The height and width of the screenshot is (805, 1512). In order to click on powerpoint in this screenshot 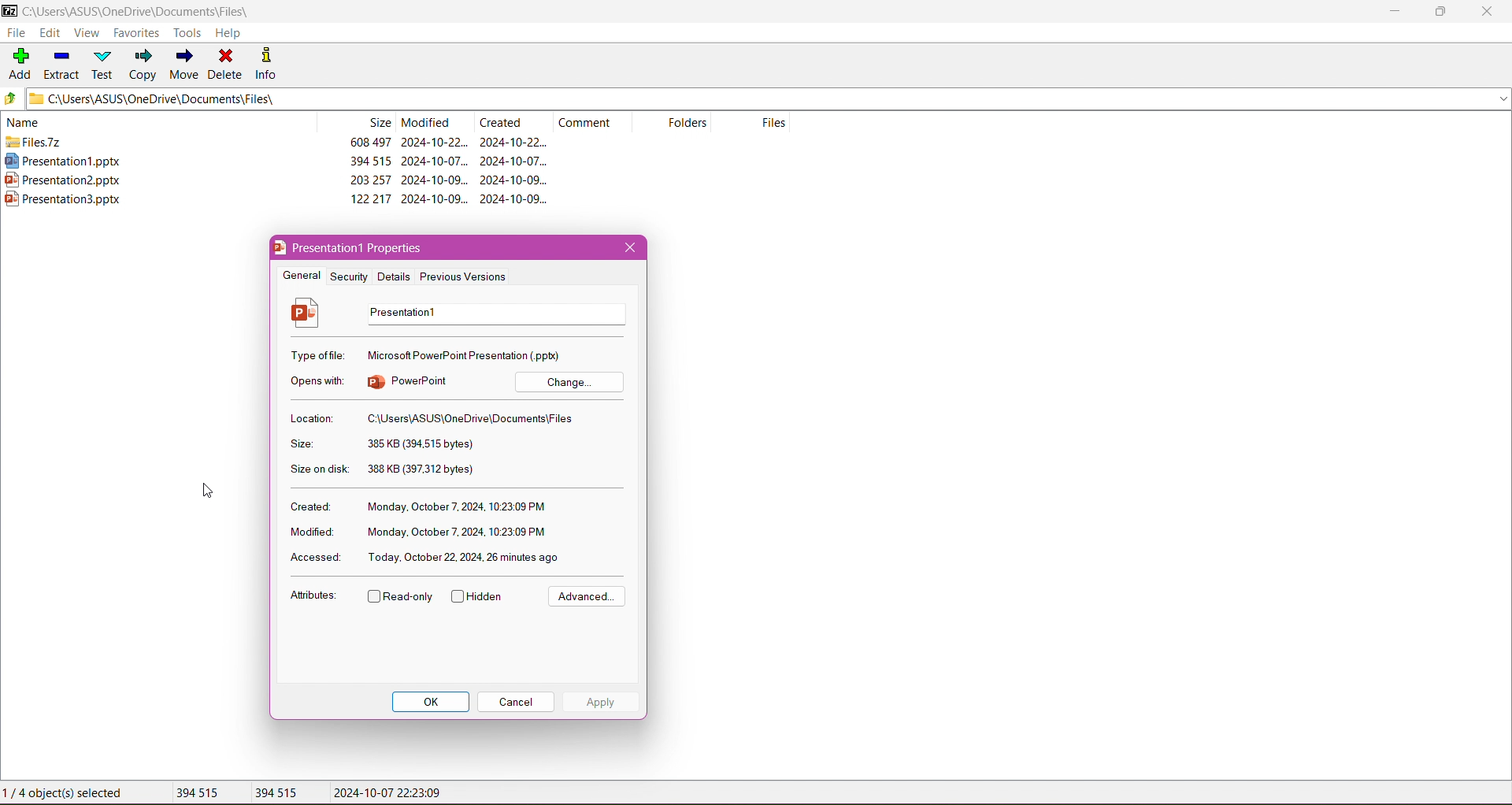, I will do `click(406, 382)`.